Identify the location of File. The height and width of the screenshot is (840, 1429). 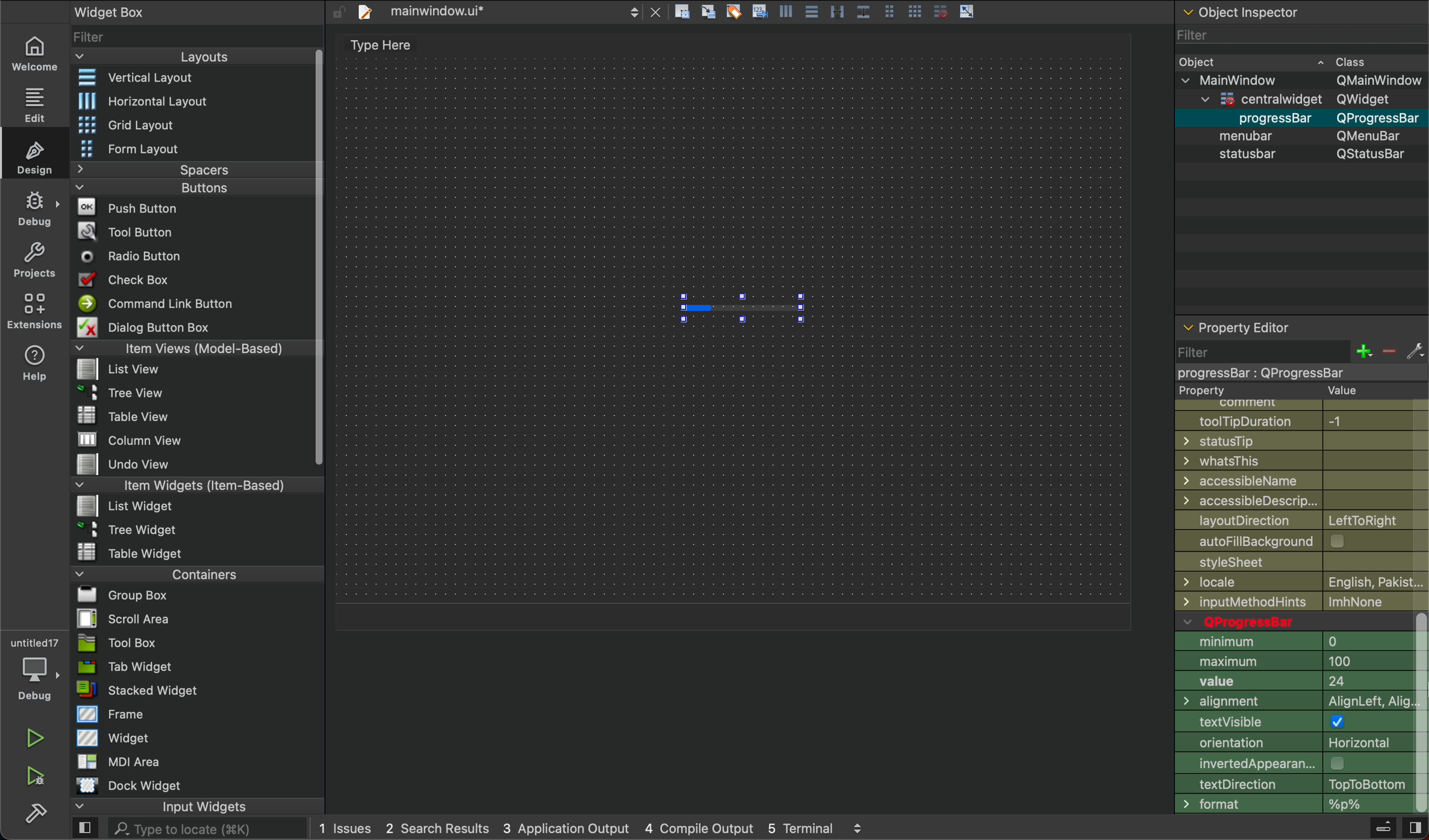
(118, 618).